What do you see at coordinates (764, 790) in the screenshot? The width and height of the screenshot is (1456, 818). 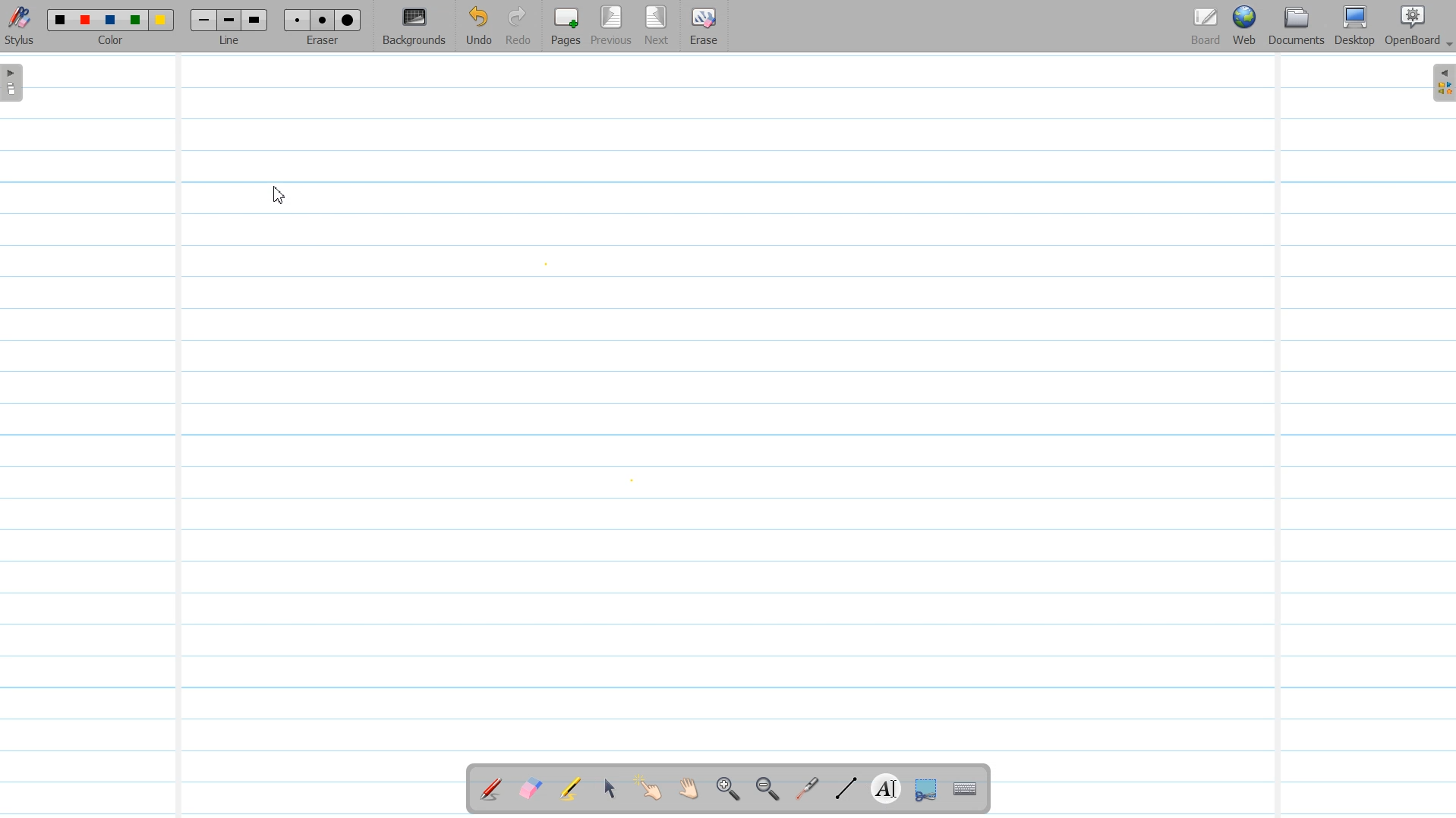 I see `Zoom Out` at bounding box center [764, 790].